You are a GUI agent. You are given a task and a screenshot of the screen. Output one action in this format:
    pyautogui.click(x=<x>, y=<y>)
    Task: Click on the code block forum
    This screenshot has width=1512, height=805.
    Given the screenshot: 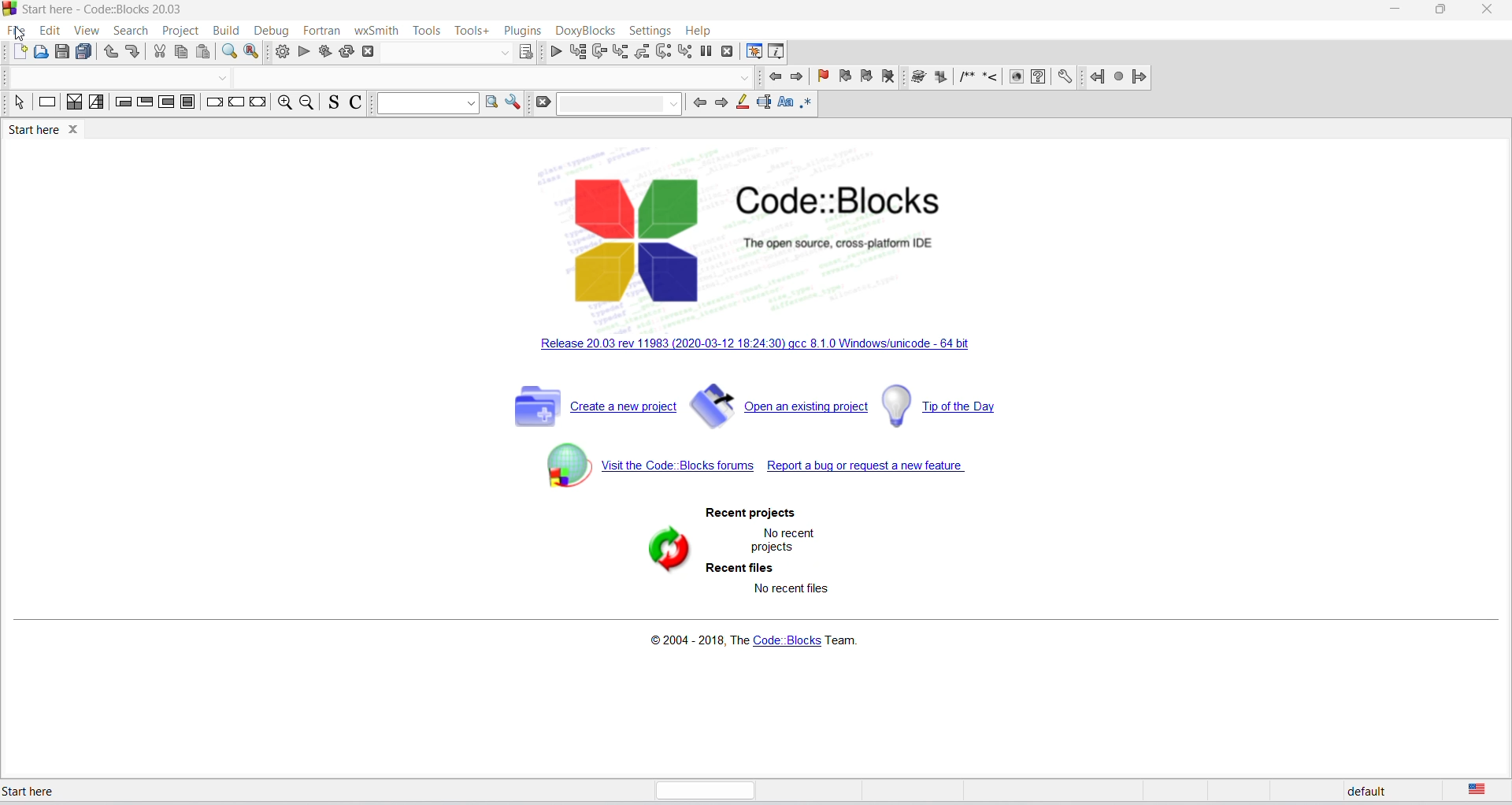 What is the action you would take?
    pyautogui.click(x=631, y=466)
    